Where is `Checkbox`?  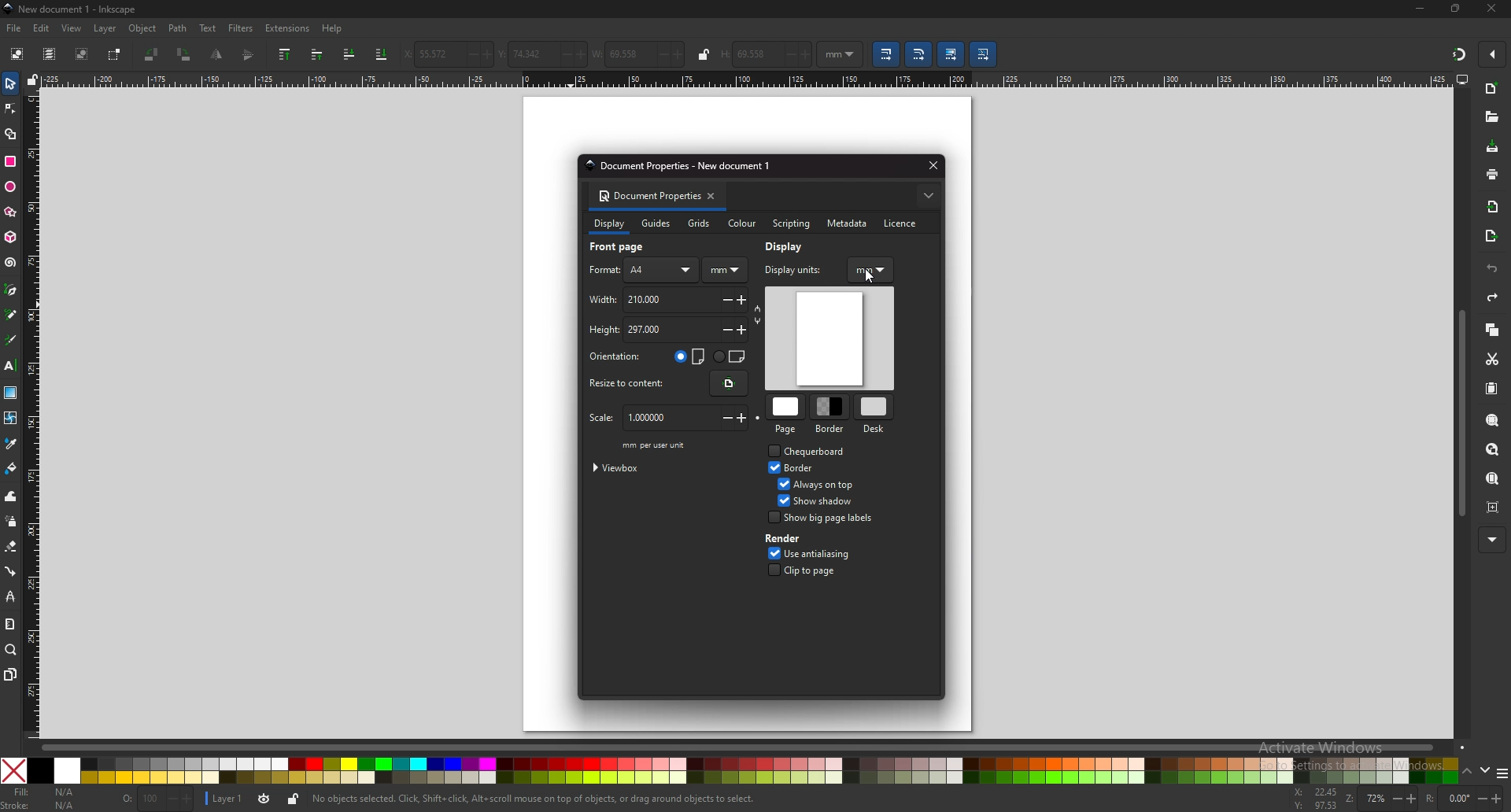
Checkbox is located at coordinates (781, 500).